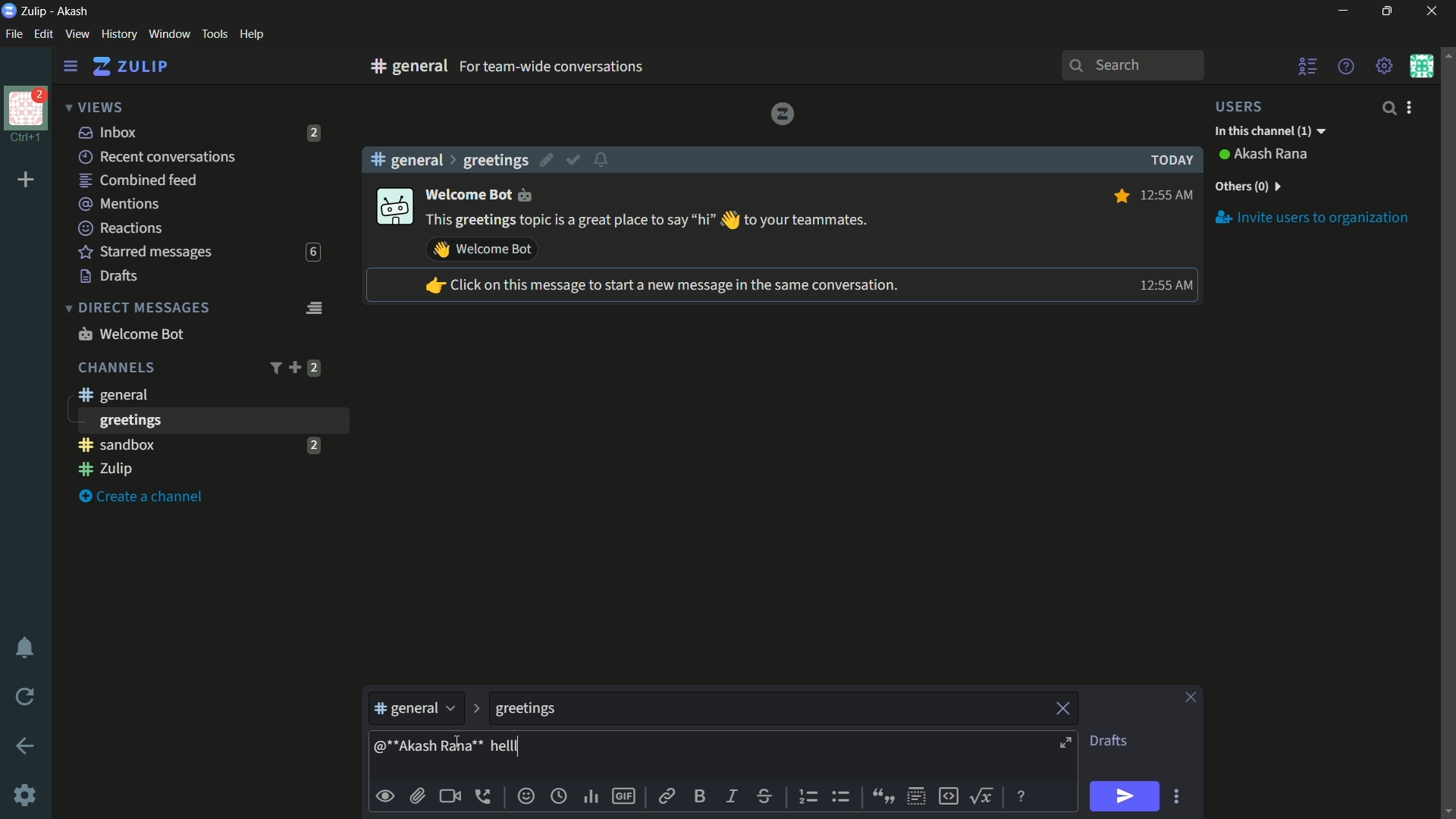 This screenshot has width=1456, height=819. I want to click on Zulip, so click(36, 11).